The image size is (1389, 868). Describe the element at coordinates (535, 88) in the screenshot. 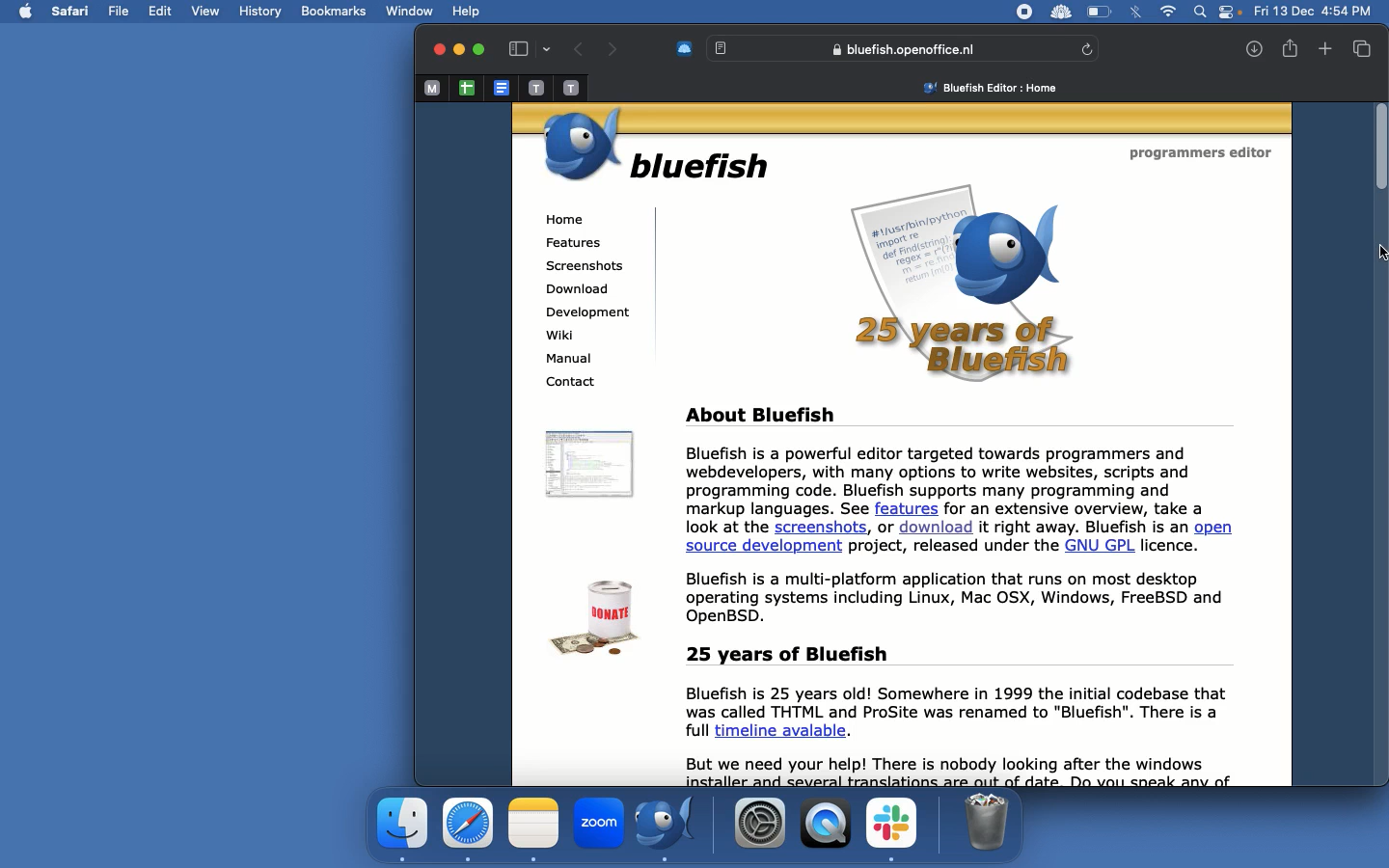

I see `Pinned tab` at that location.